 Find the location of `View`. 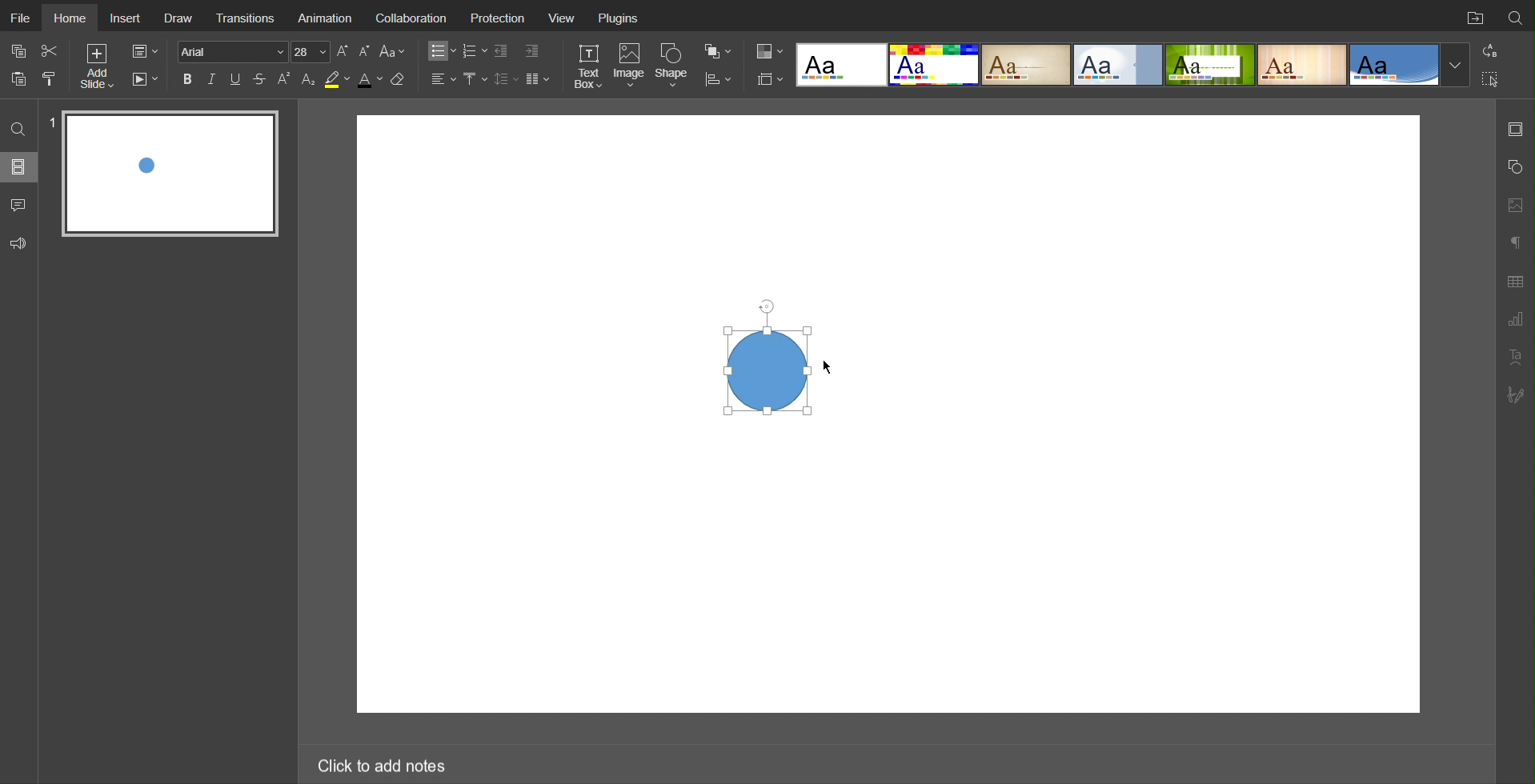

View is located at coordinates (567, 17).